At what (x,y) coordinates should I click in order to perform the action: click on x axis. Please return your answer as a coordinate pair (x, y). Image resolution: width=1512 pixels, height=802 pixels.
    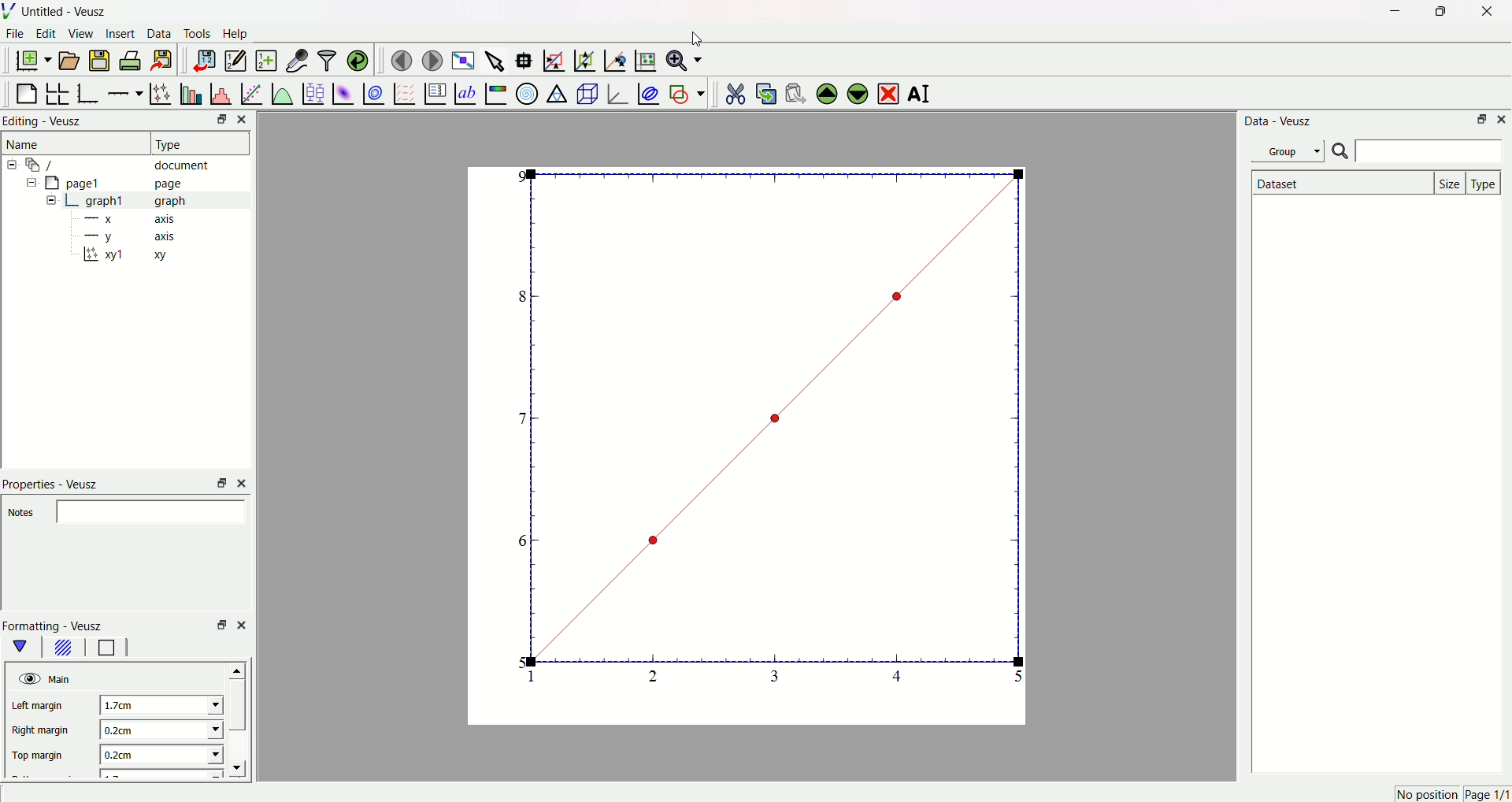
    Looking at the image, I should click on (133, 220).